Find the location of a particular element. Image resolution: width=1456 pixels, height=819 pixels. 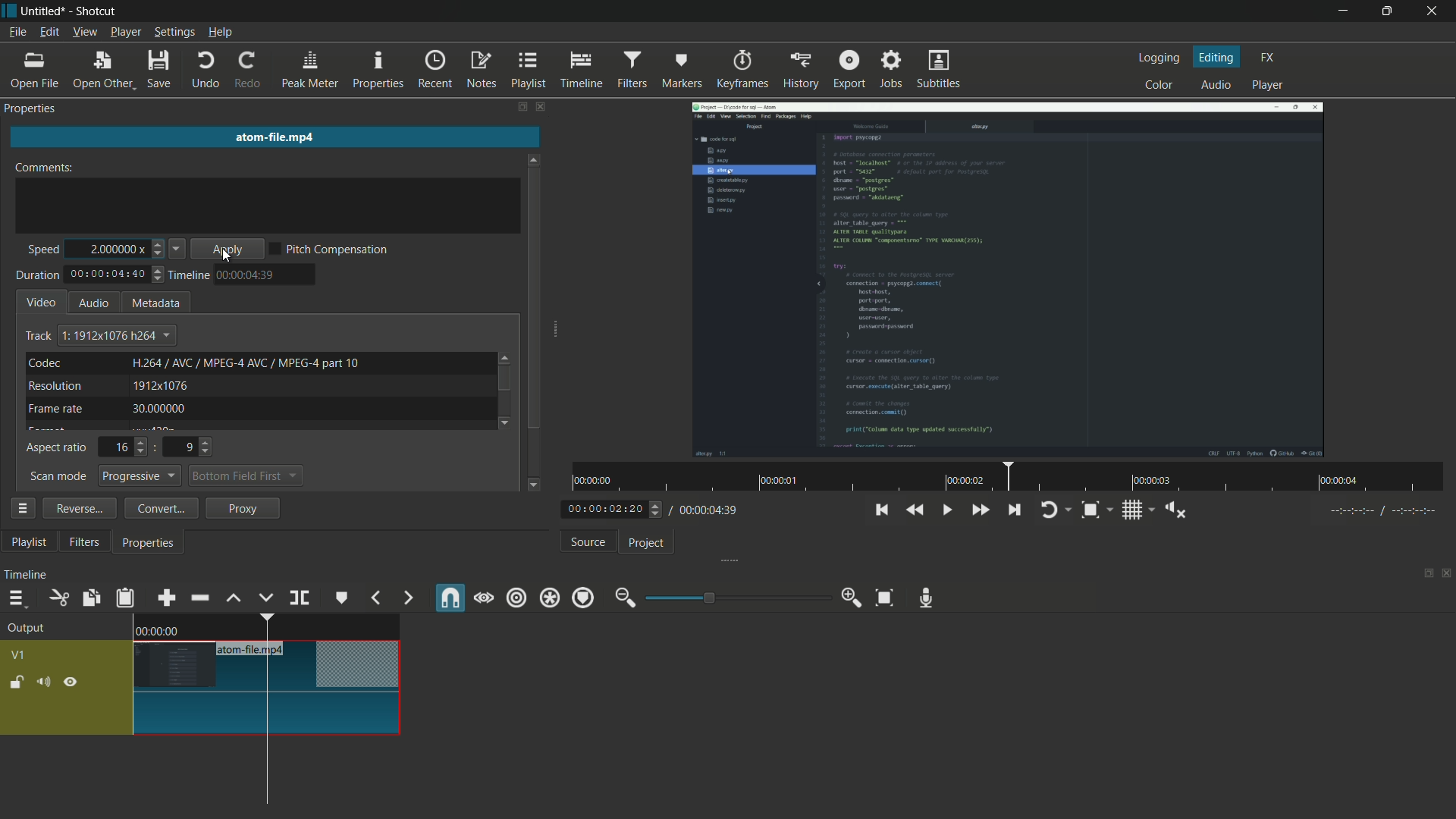

undo is located at coordinates (206, 71).